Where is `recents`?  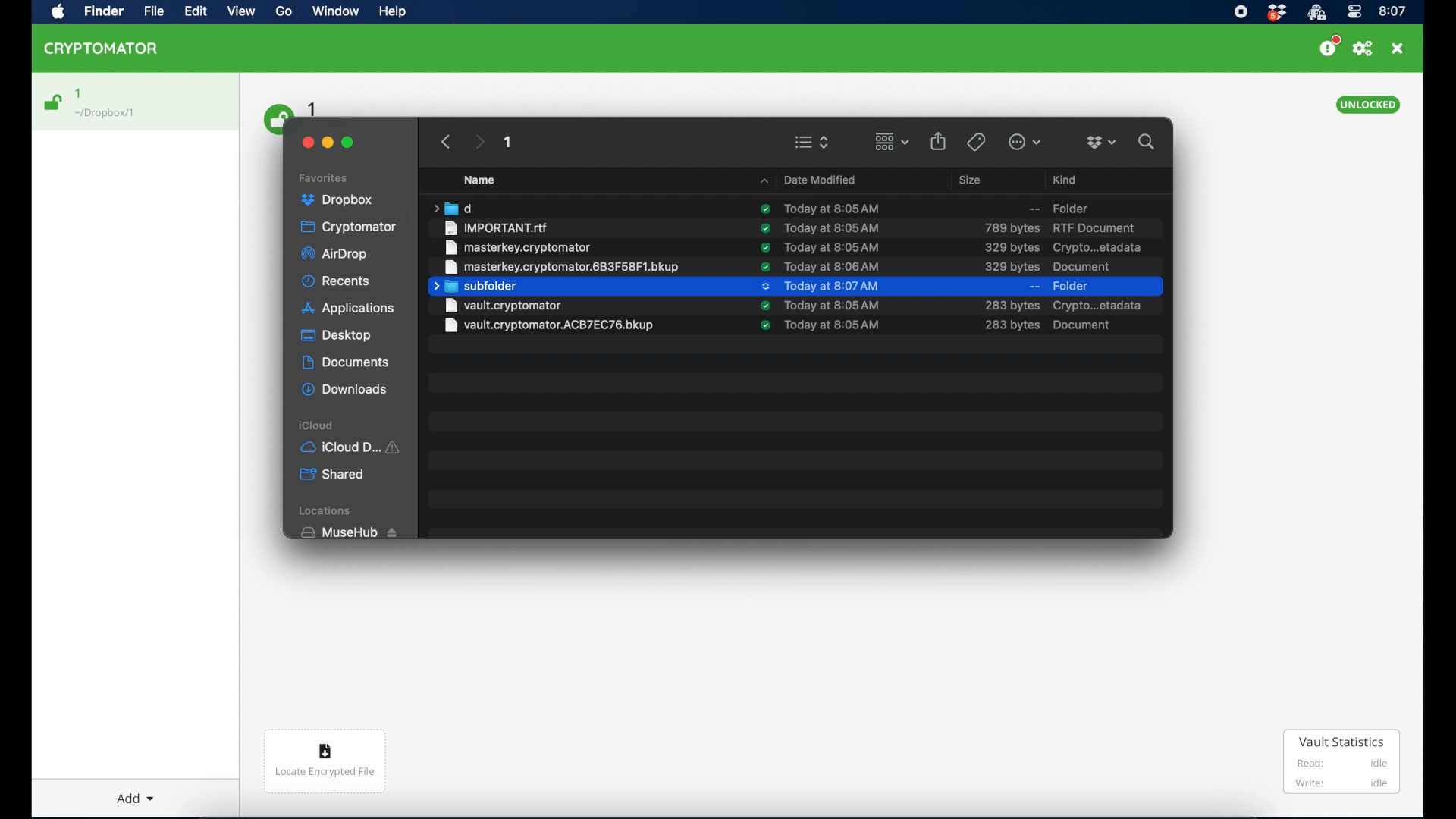 recents is located at coordinates (337, 281).